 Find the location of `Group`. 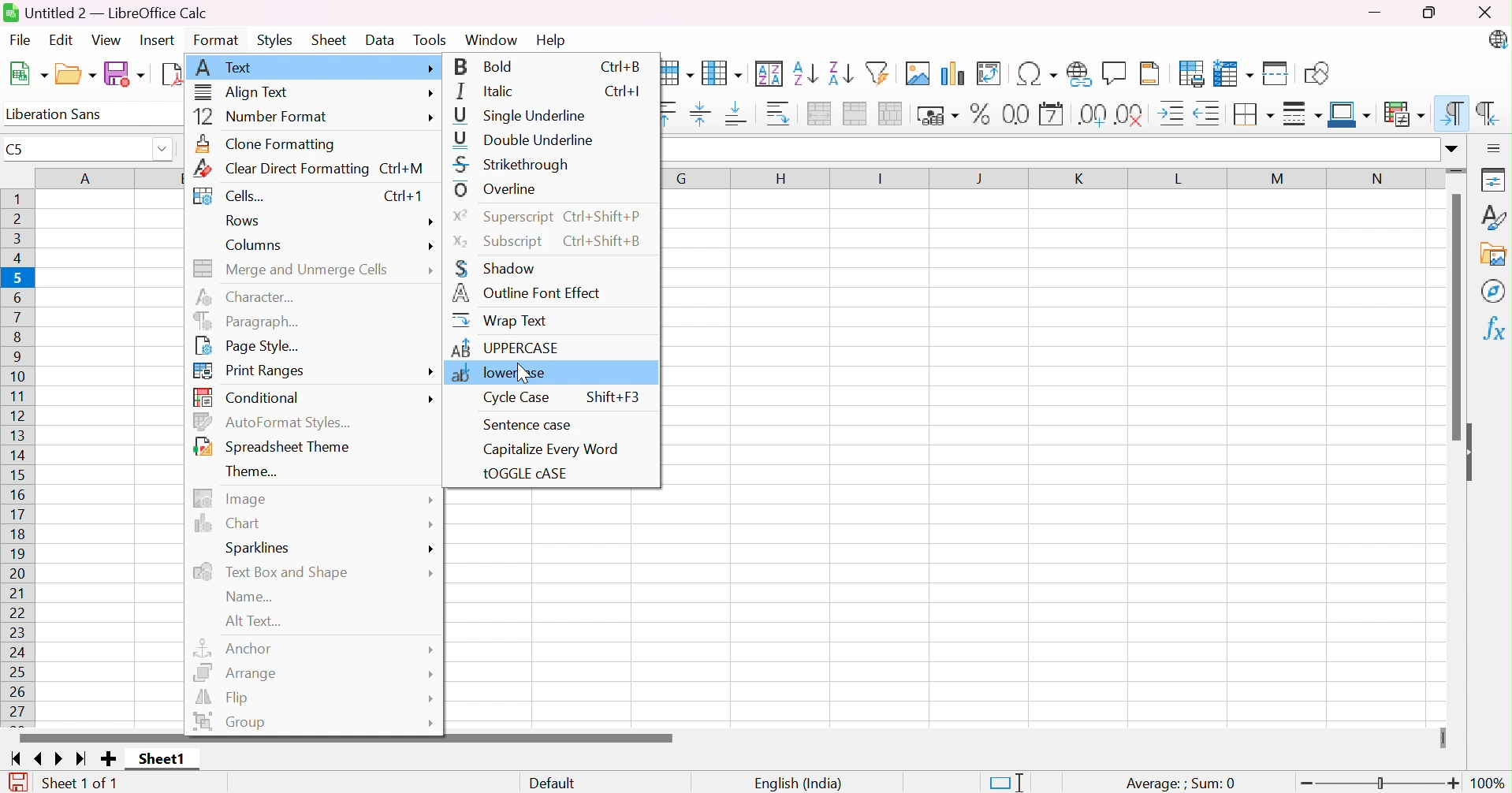

Group is located at coordinates (230, 720).